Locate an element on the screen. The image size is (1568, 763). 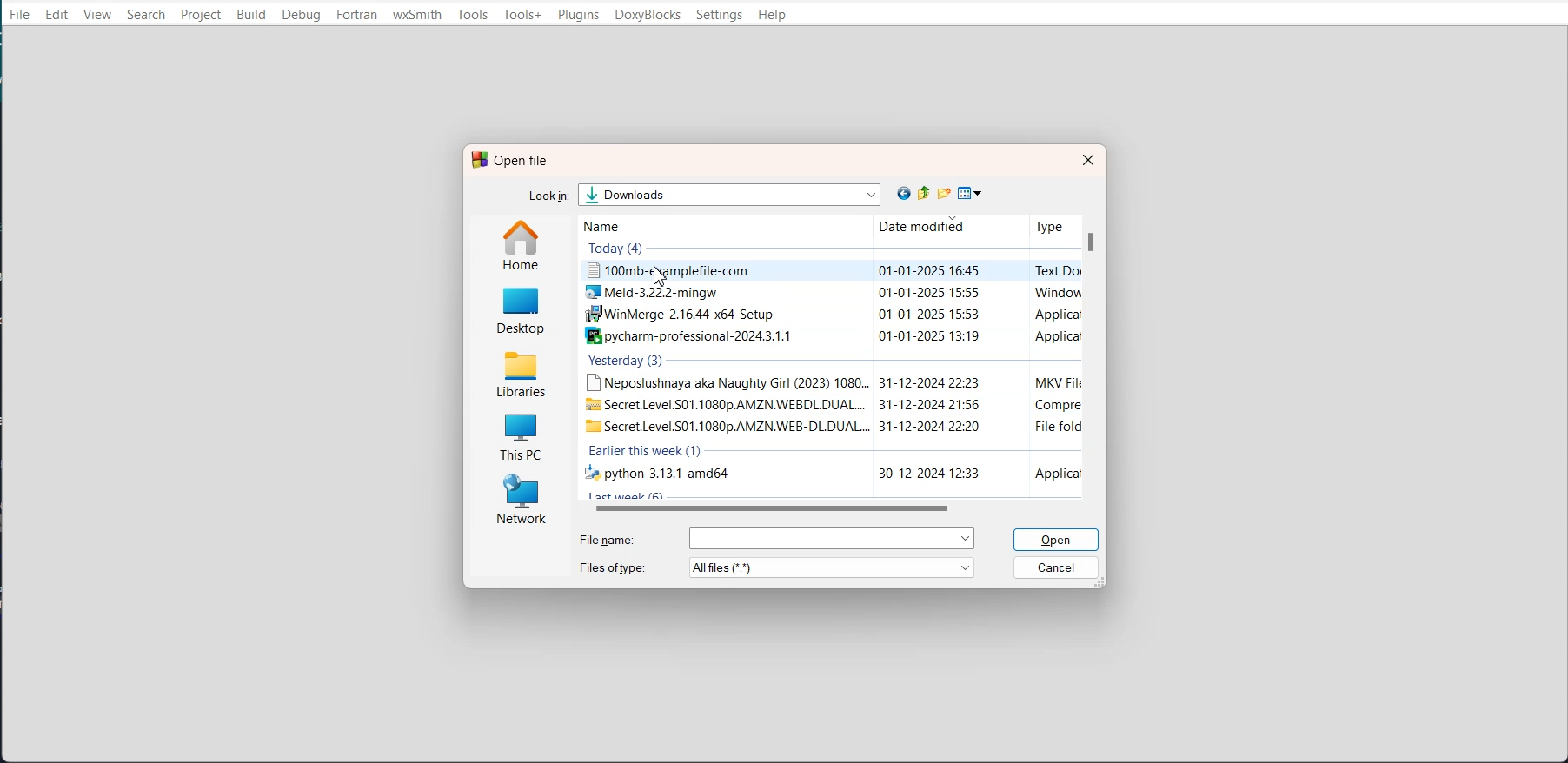
View is located at coordinates (100, 14).